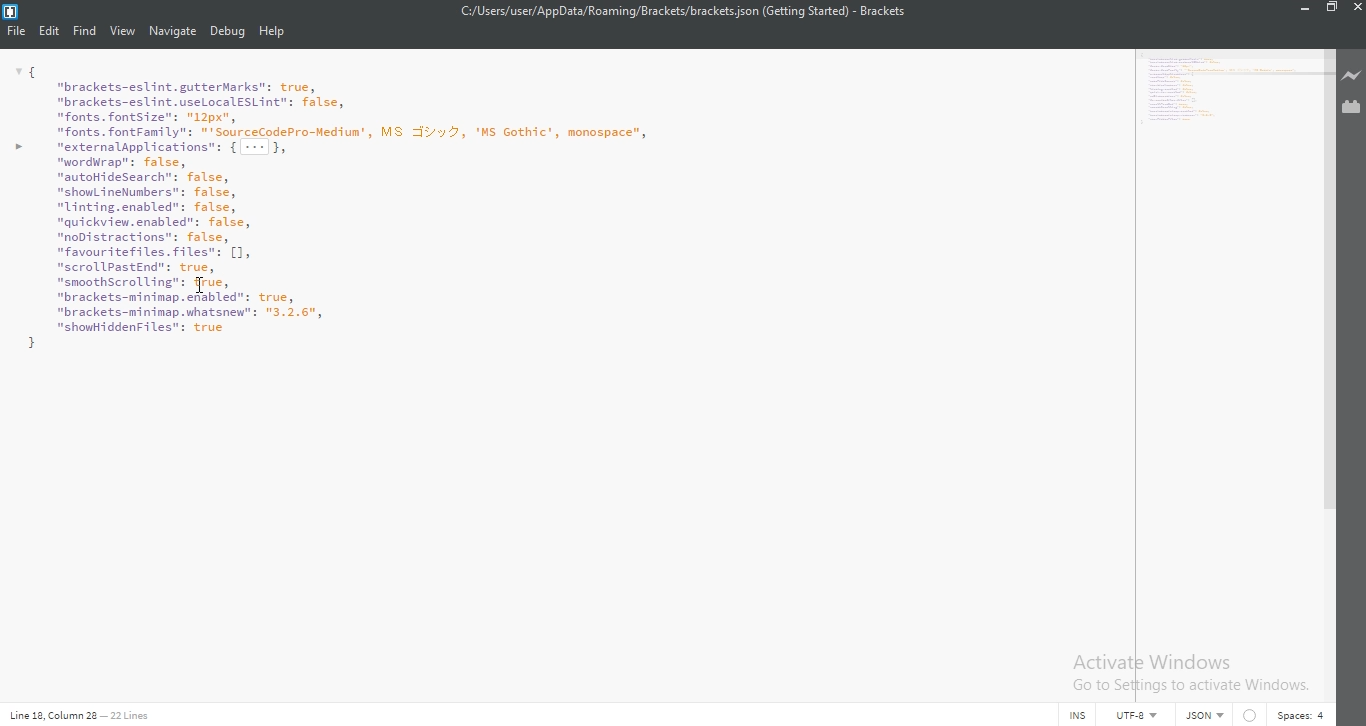  What do you see at coordinates (199, 283) in the screenshot?
I see `Insertion Cursor` at bounding box center [199, 283].